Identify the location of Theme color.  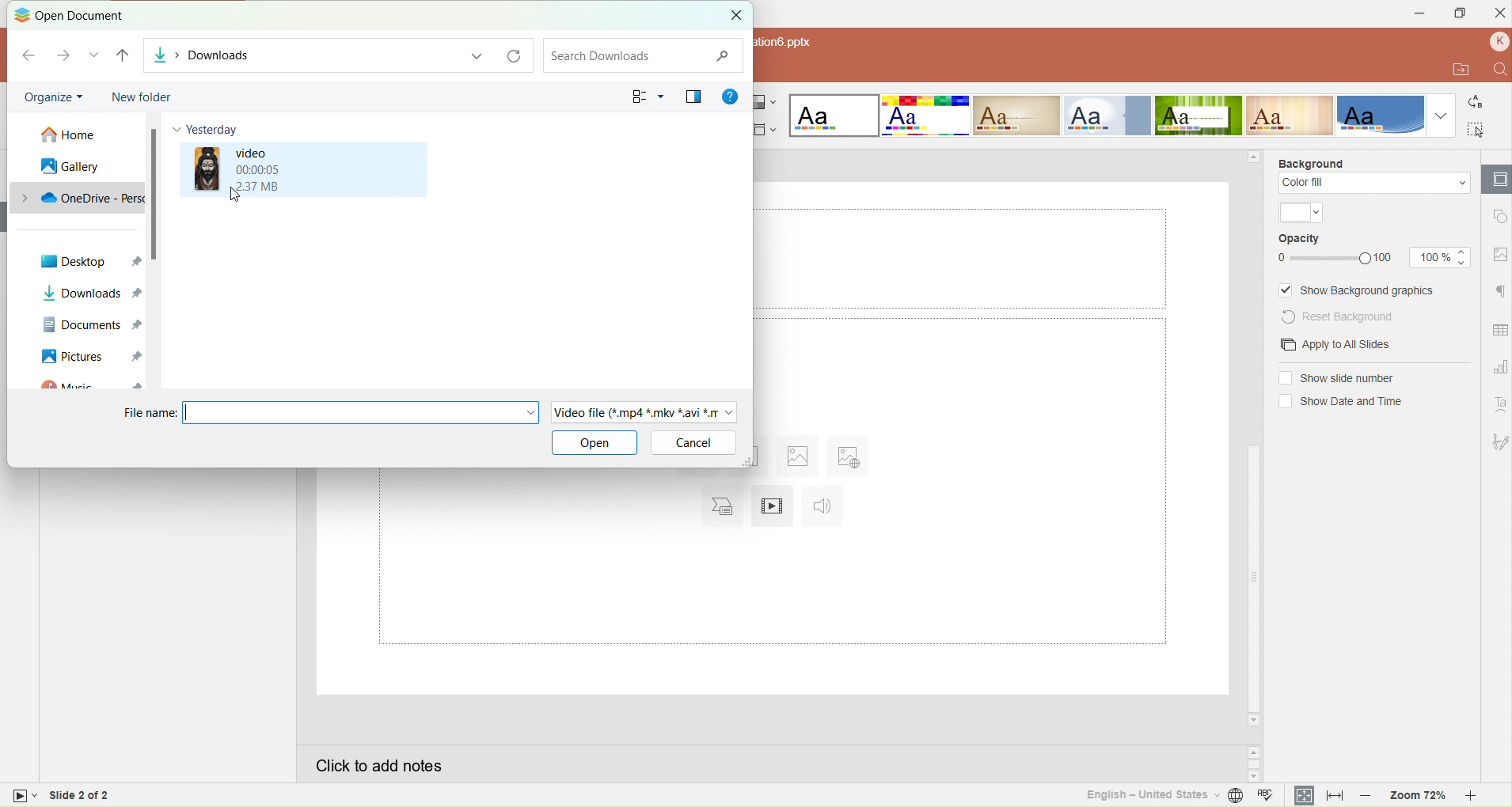
(1298, 212).